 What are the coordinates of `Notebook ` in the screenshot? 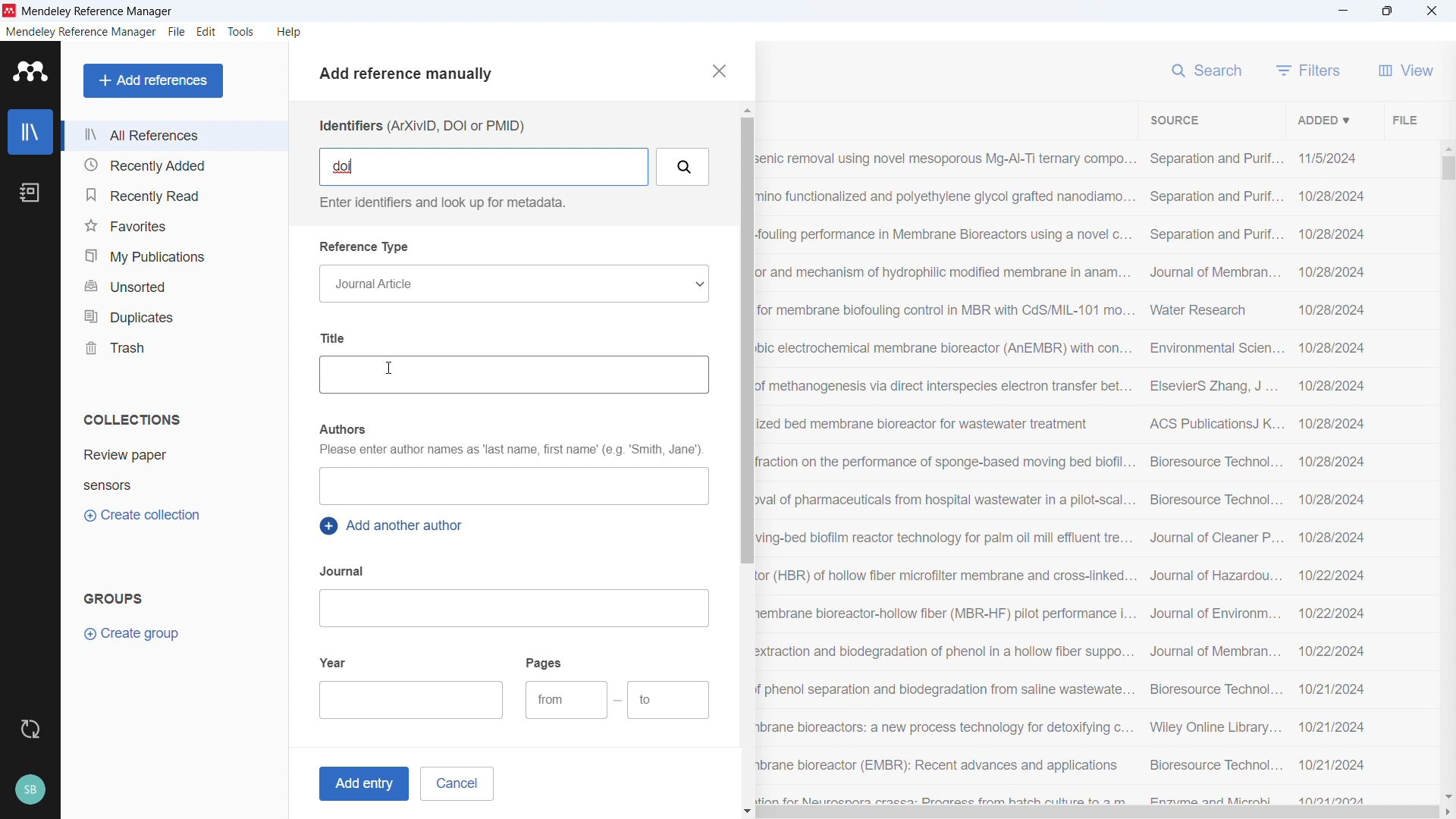 It's located at (30, 193).